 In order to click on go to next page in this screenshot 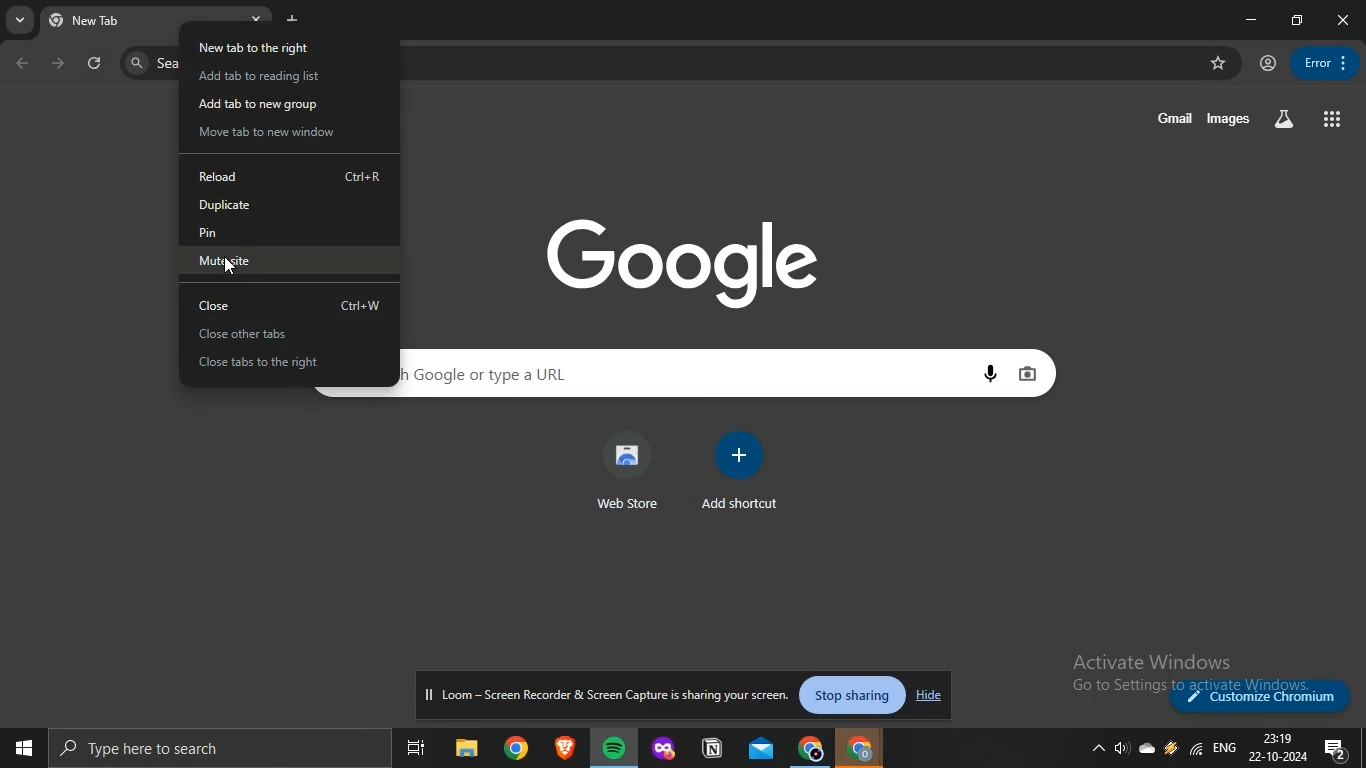, I will do `click(59, 63)`.